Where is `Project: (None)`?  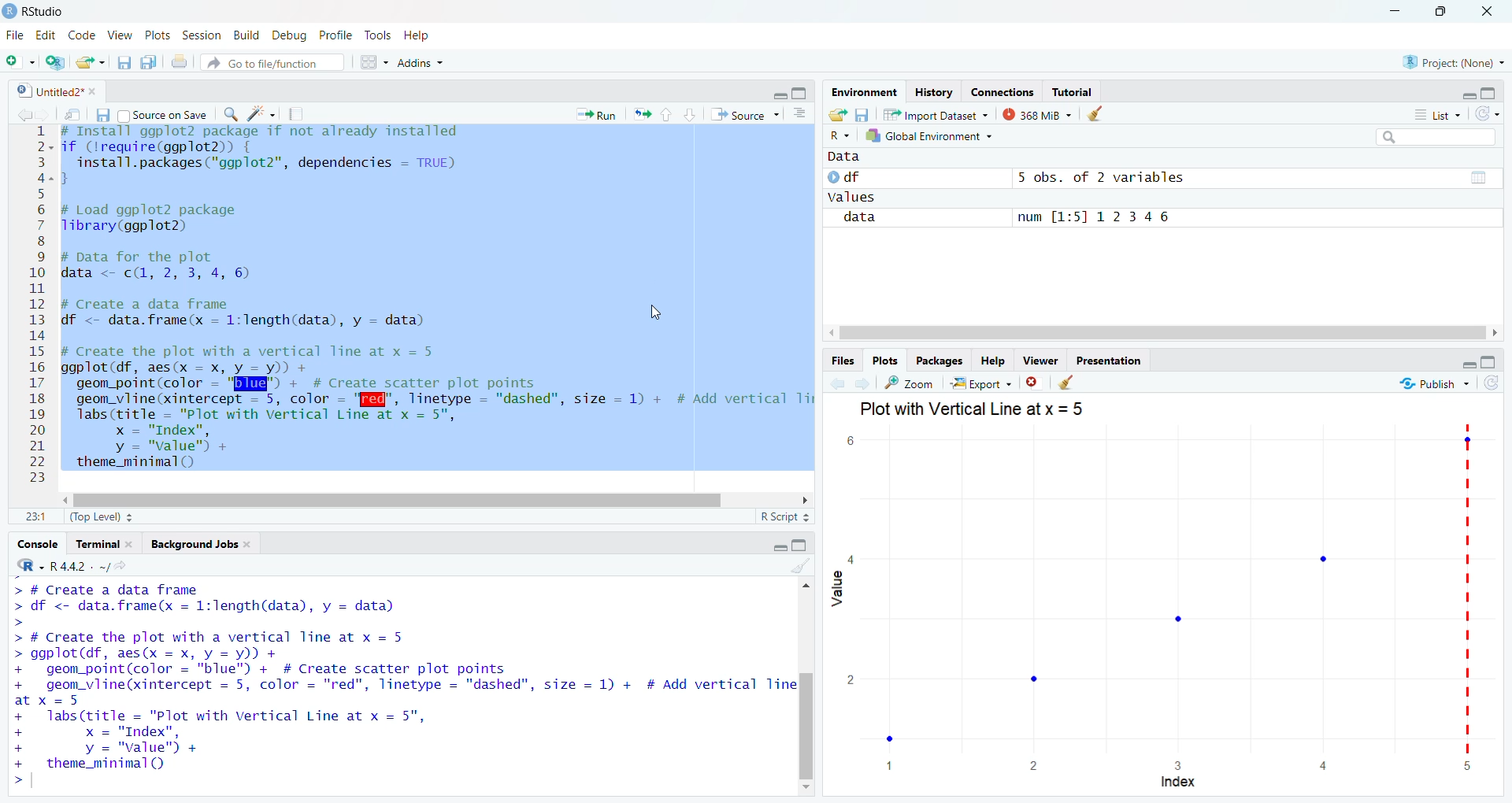
Project: (None) is located at coordinates (1449, 60).